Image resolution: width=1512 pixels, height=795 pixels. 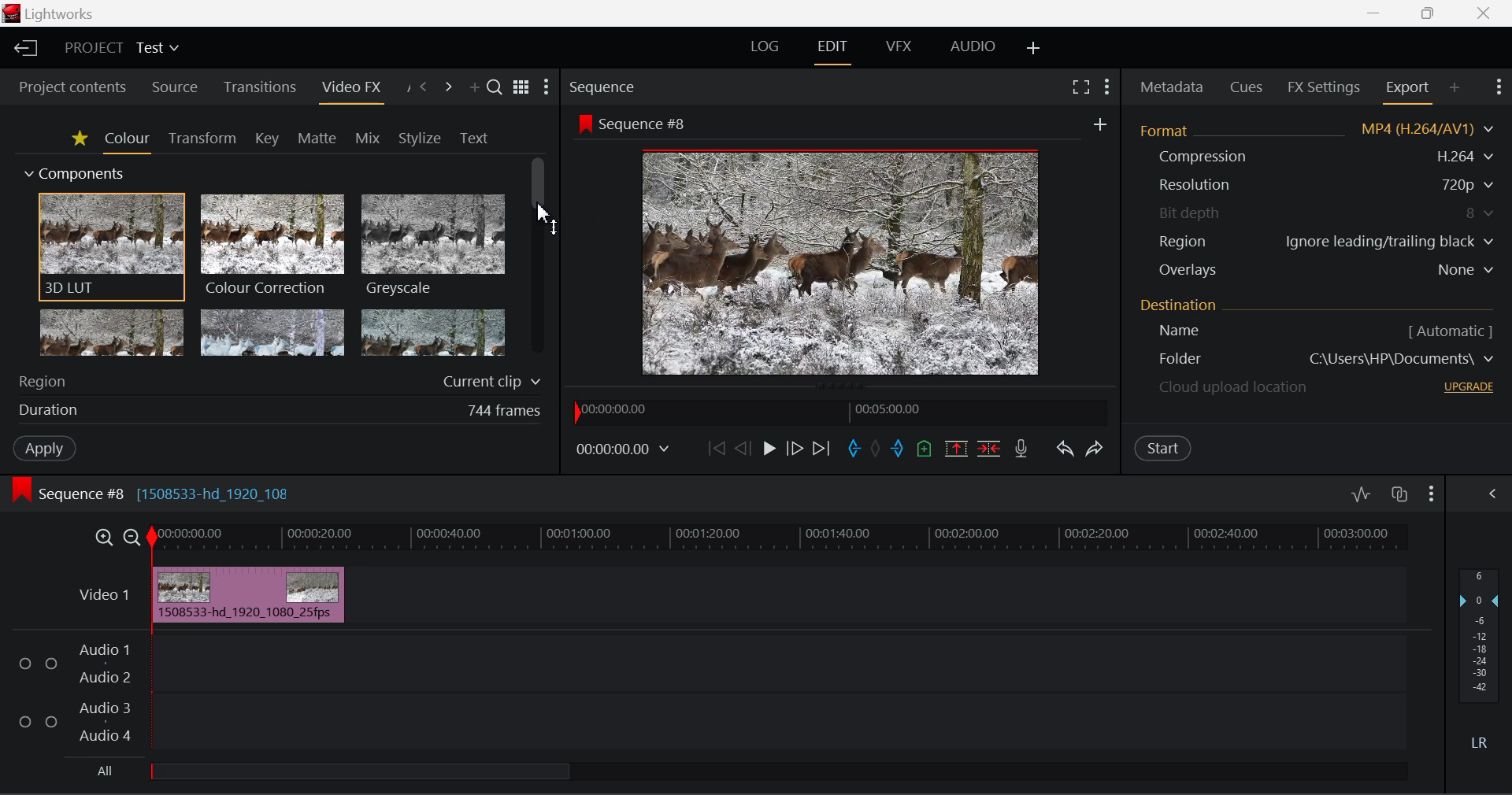 What do you see at coordinates (1063, 448) in the screenshot?
I see `Undo` at bounding box center [1063, 448].